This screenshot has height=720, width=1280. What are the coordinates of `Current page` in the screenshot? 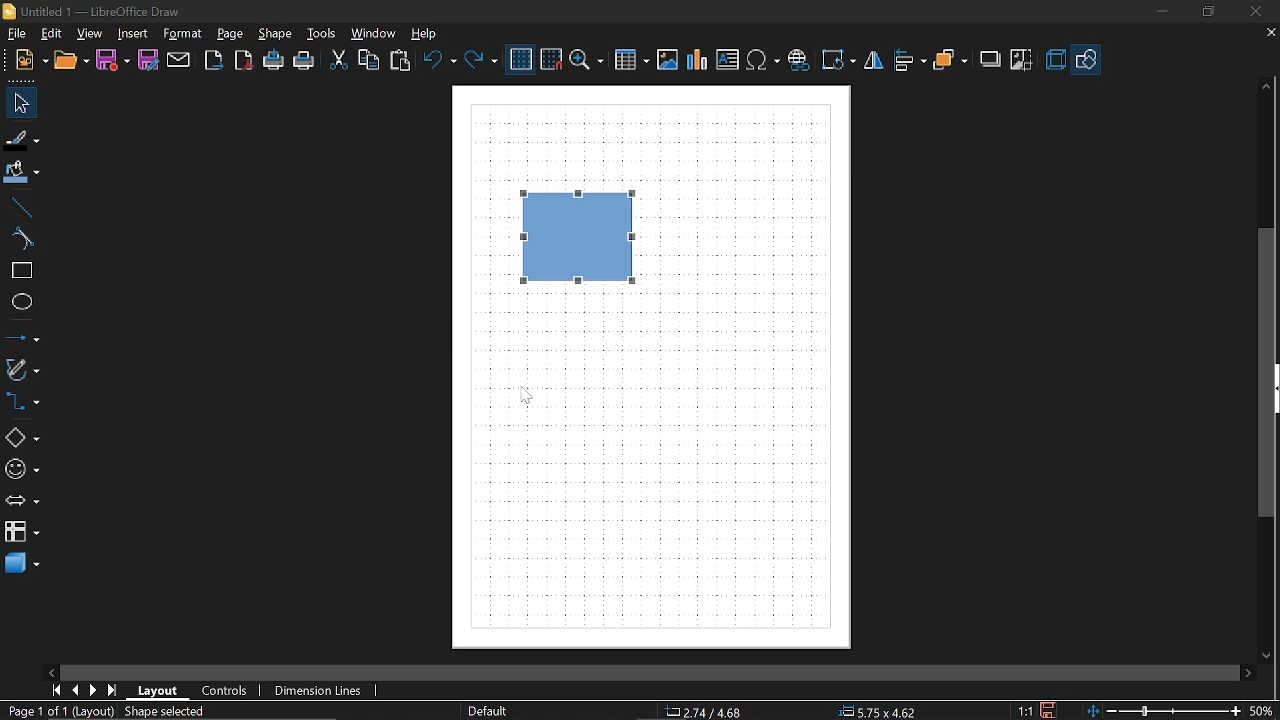 It's located at (106, 712).